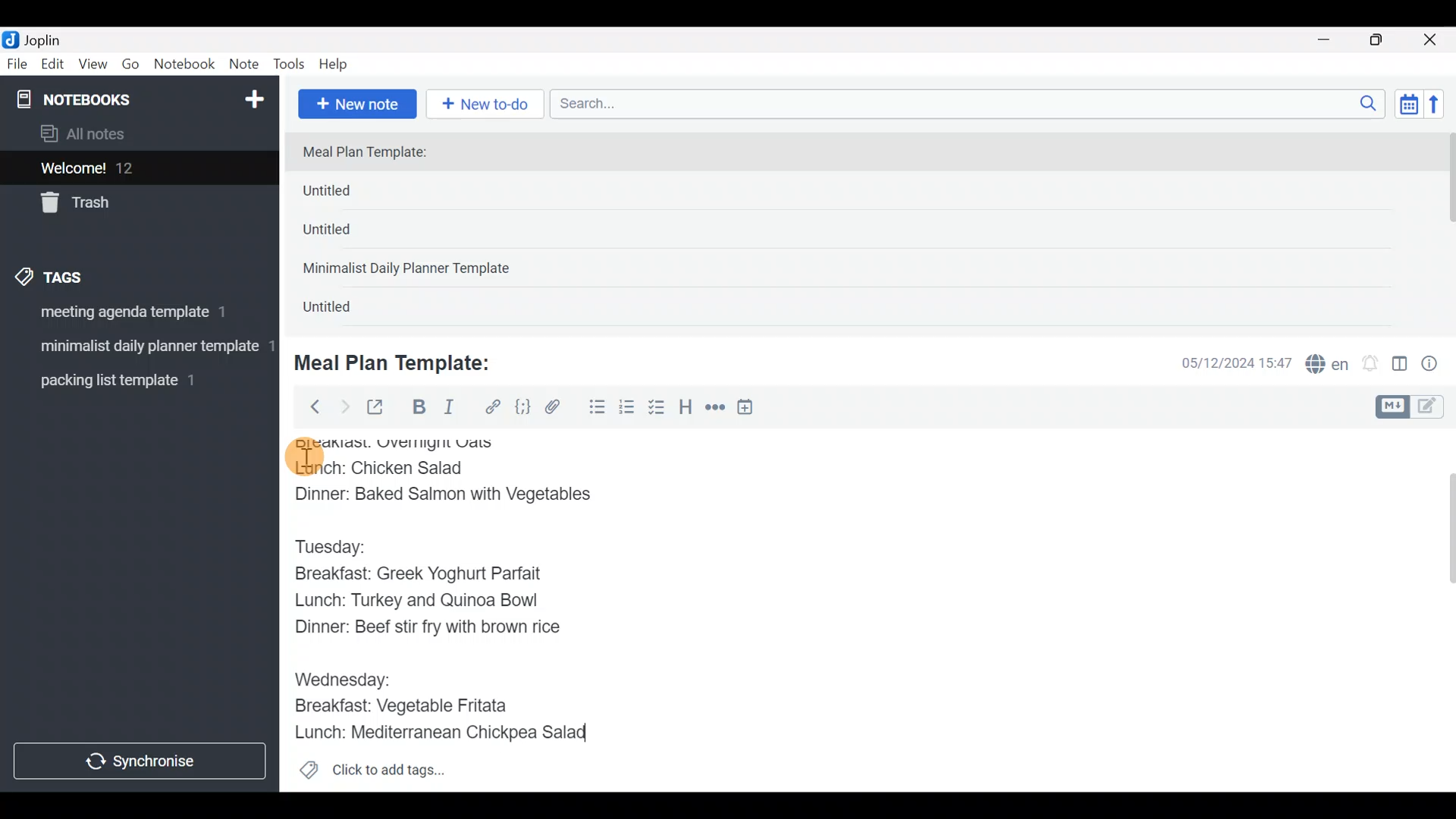 This screenshot has width=1456, height=819. Describe the element at coordinates (347, 234) in the screenshot. I see `Untitled` at that location.